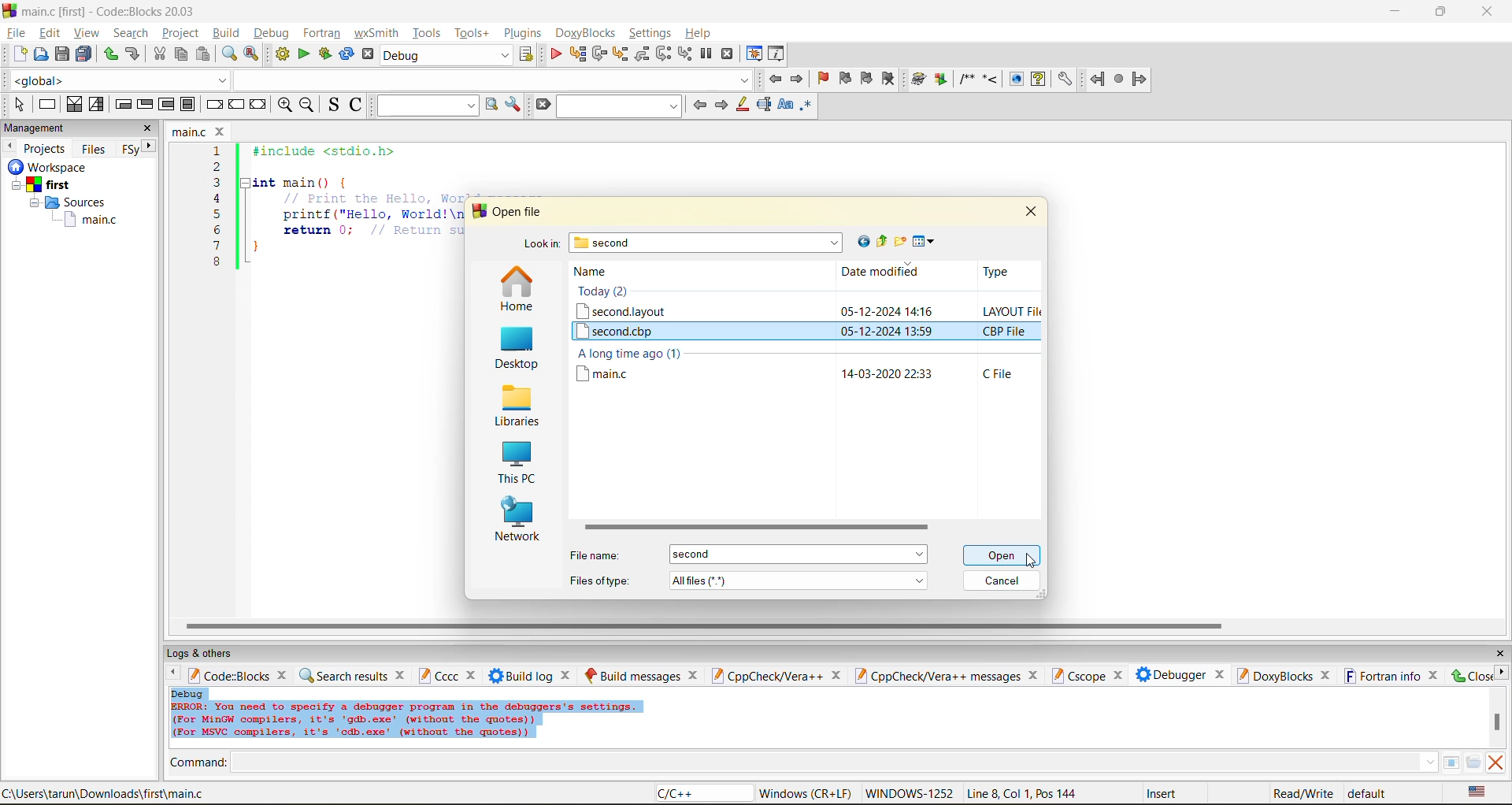  What do you see at coordinates (684, 54) in the screenshot?
I see `step into instruction` at bounding box center [684, 54].